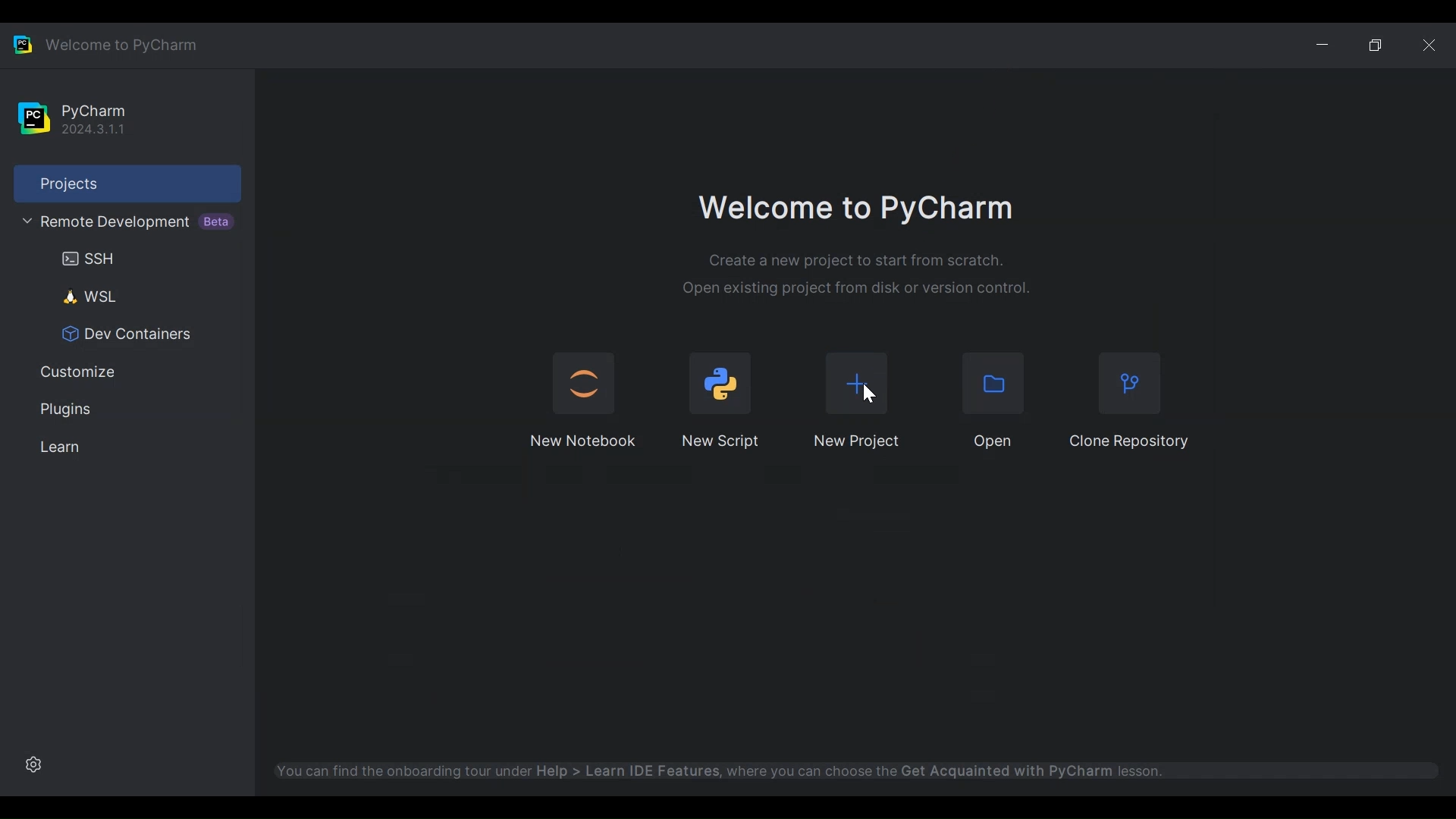 Image resolution: width=1456 pixels, height=819 pixels. Describe the element at coordinates (31, 764) in the screenshot. I see `Settings` at that location.